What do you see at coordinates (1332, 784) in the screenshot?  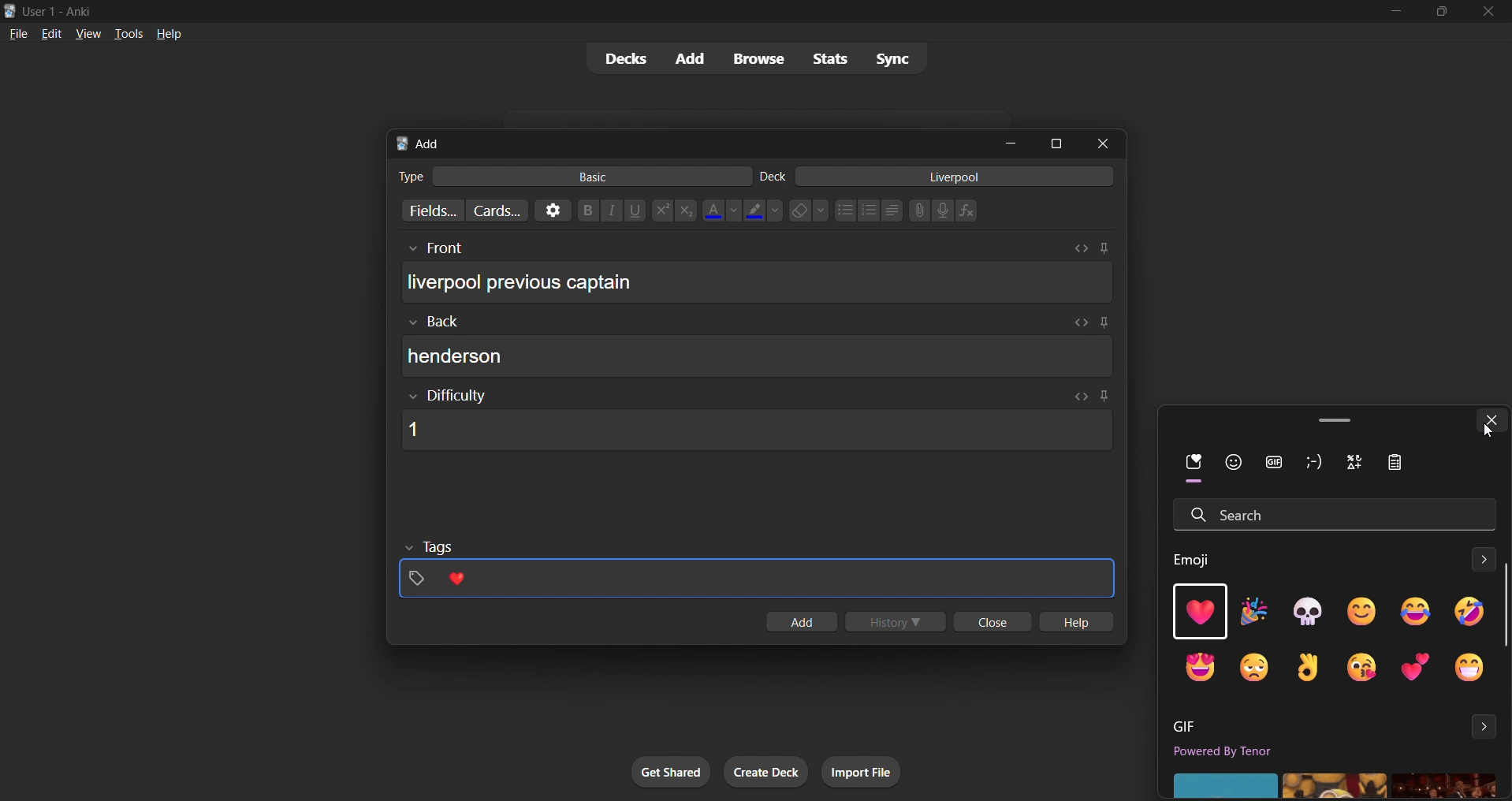 I see `gifs'` at bounding box center [1332, 784].